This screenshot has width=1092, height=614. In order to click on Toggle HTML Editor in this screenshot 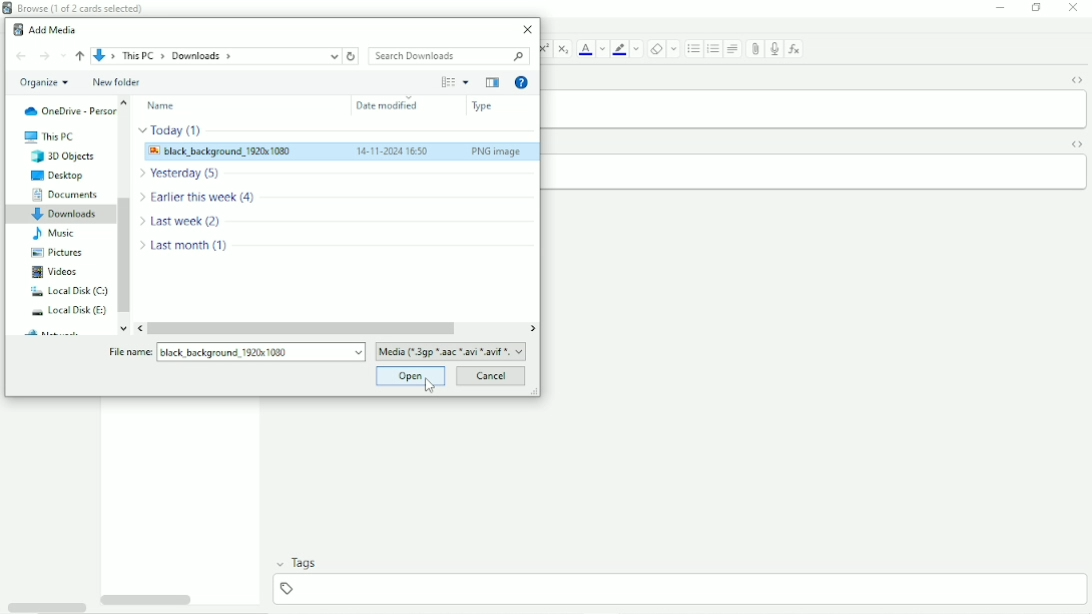, I will do `click(1077, 143)`.